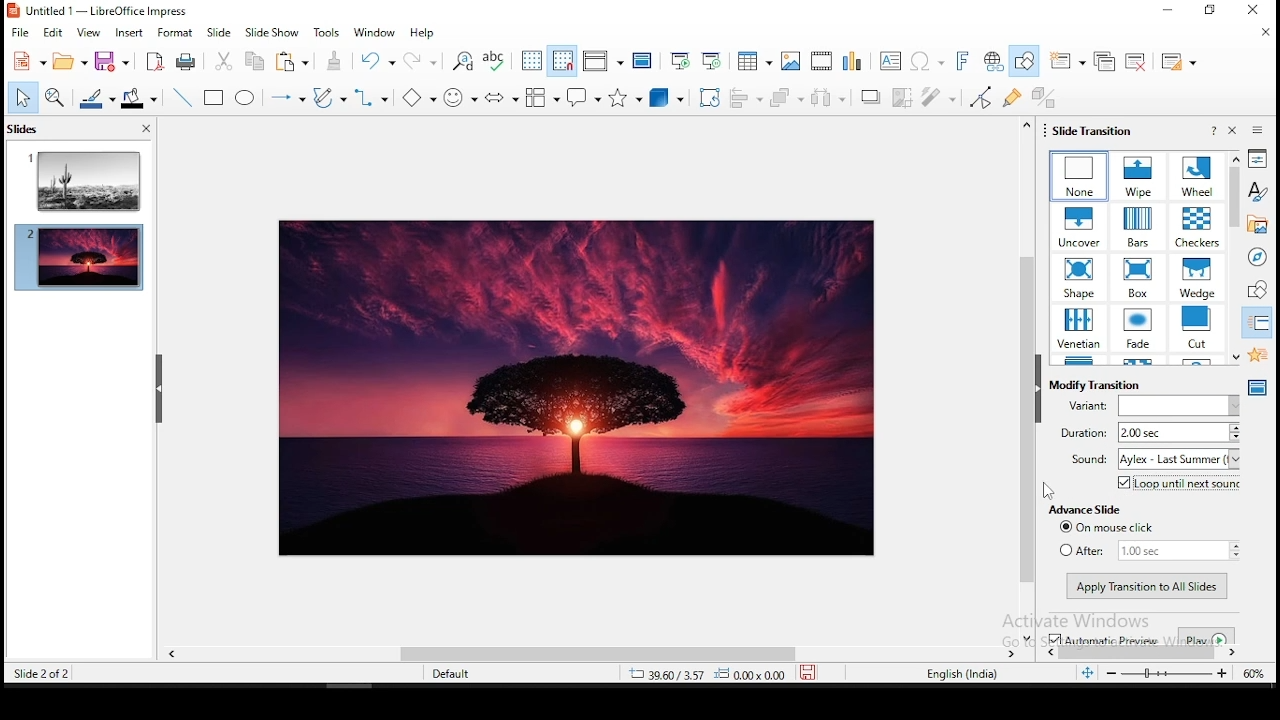 This screenshot has width=1280, height=720. Describe the element at coordinates (251, 62) in the screenshot. I see `copy` at that location.